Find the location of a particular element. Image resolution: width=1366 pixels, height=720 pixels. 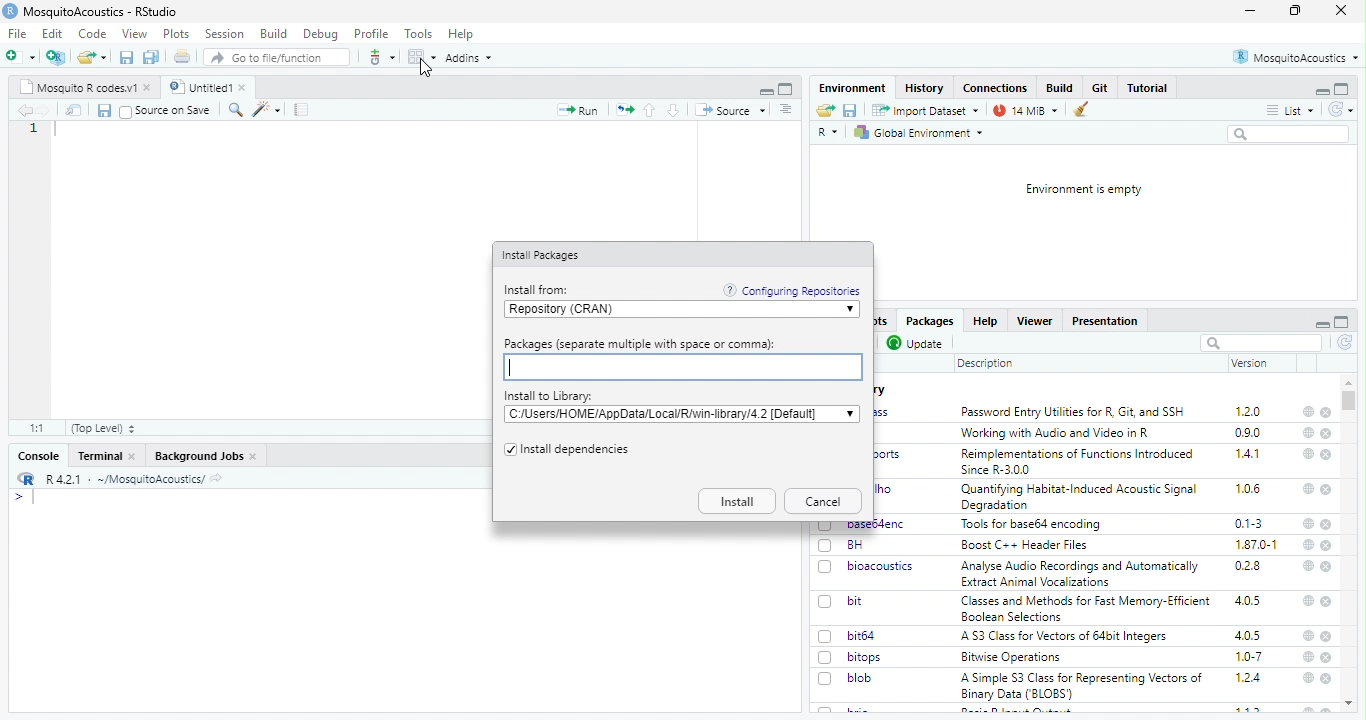

list is located at coordinates (1291, 111).